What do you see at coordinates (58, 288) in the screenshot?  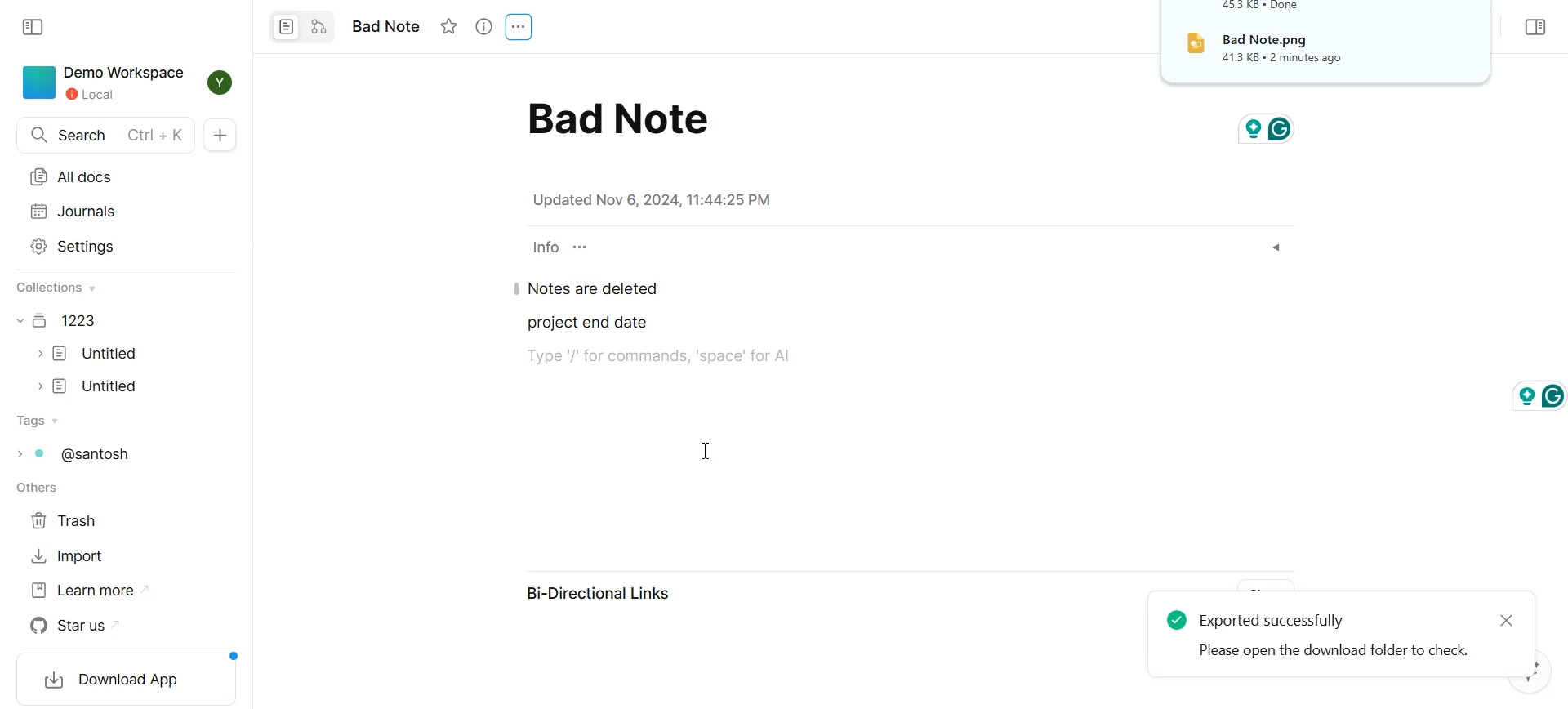 I see `collections` at bounding box center [58, 288].